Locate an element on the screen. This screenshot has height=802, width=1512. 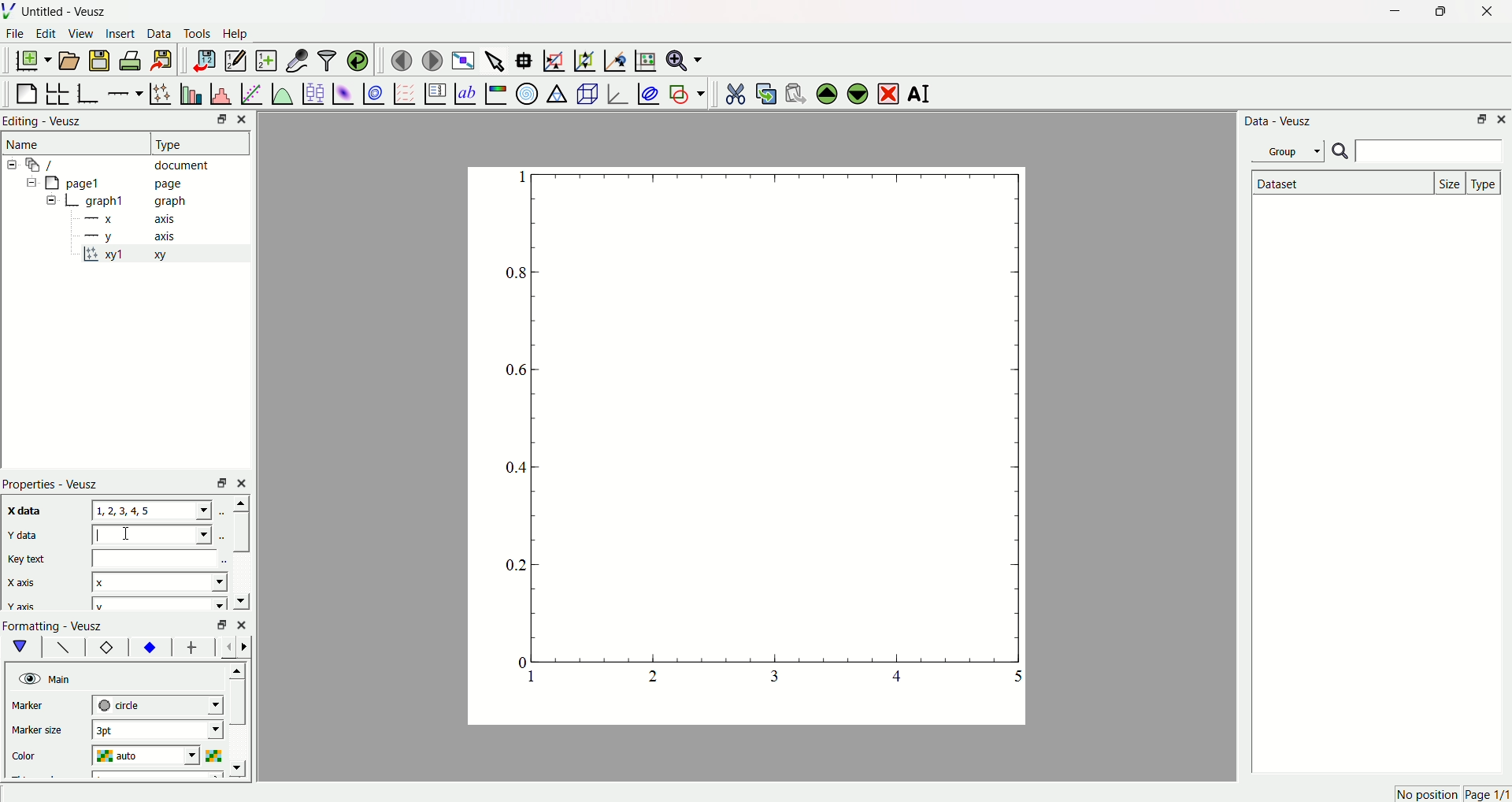
import datasets is located at coordinates (204, 60).